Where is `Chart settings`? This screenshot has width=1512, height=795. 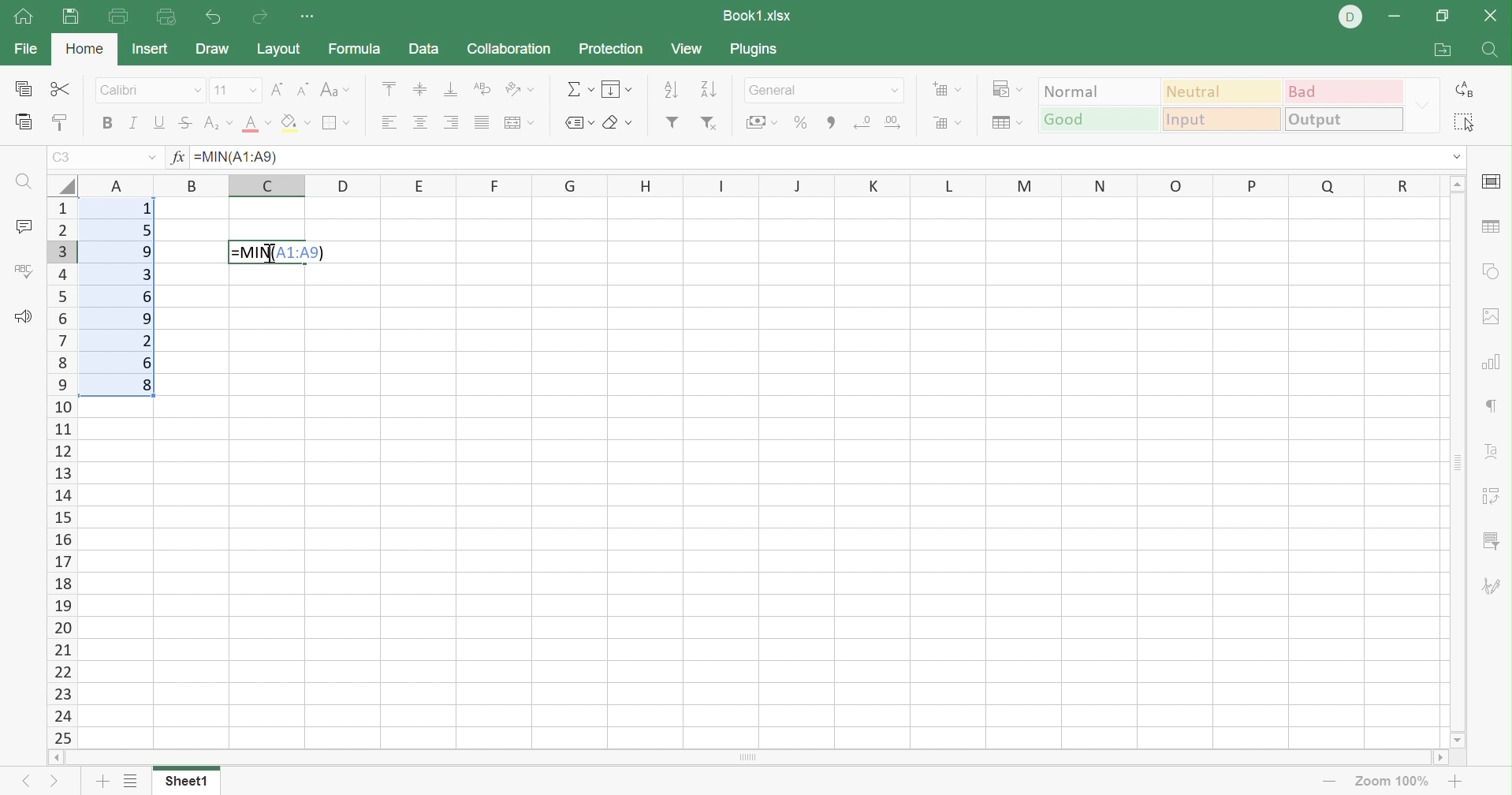
Chart settings is located at coordinates (1495, 361).